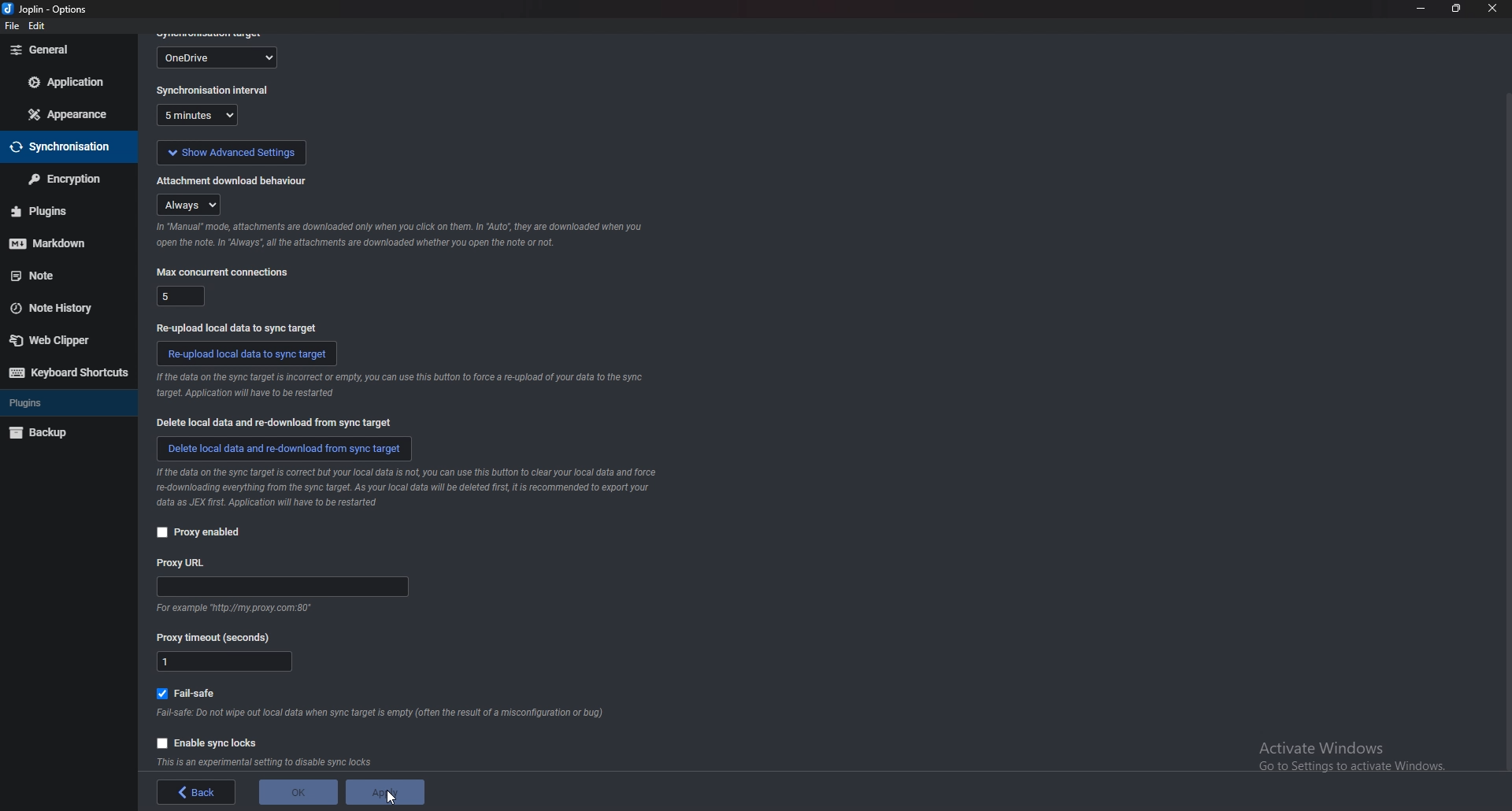 Image resolution: width=1512 pixels, height=811 pixels. Describe the element at coordinates (69, 50) in the screenshot. I see `general` at that location.